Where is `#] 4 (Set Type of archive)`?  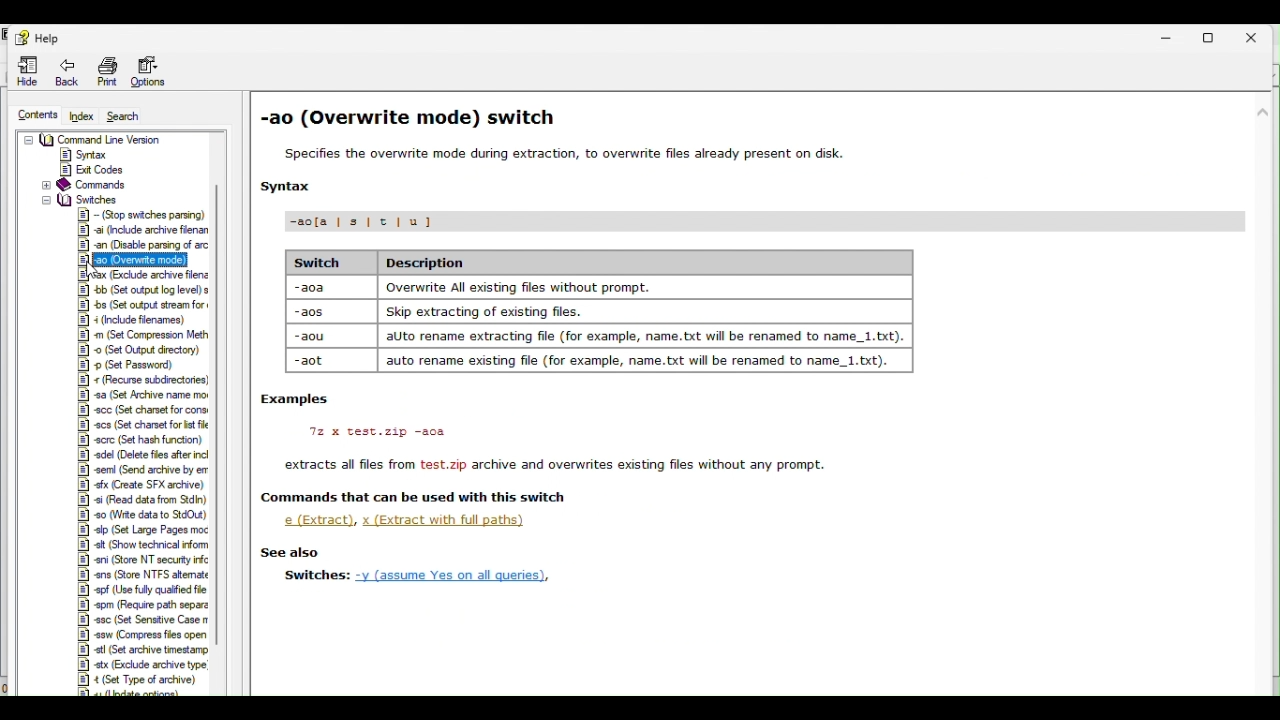 #] 4 (Set Type of archive) is located at coordinates (138, 680).